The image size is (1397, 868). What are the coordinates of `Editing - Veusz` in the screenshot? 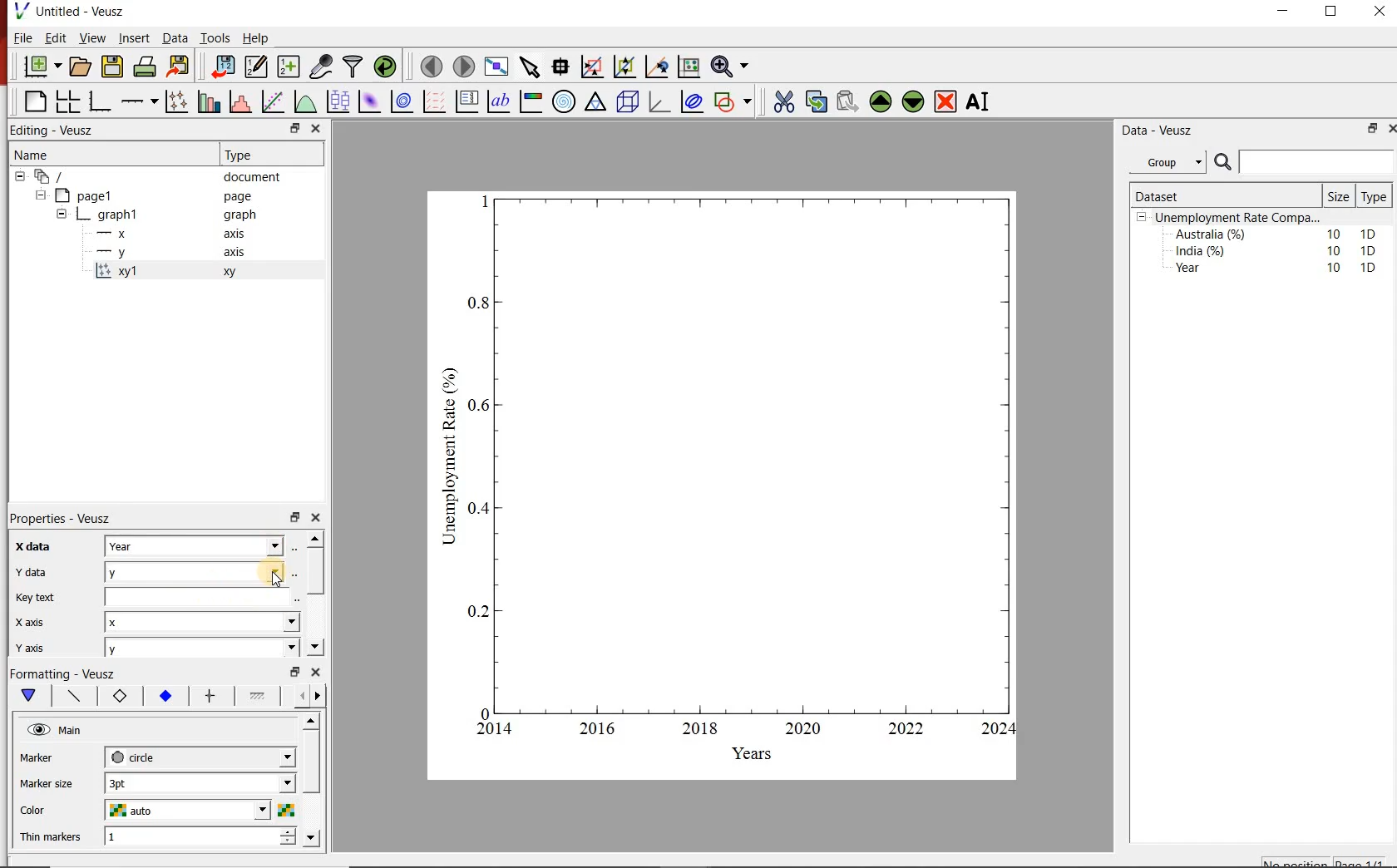 It's located at (55, 129).